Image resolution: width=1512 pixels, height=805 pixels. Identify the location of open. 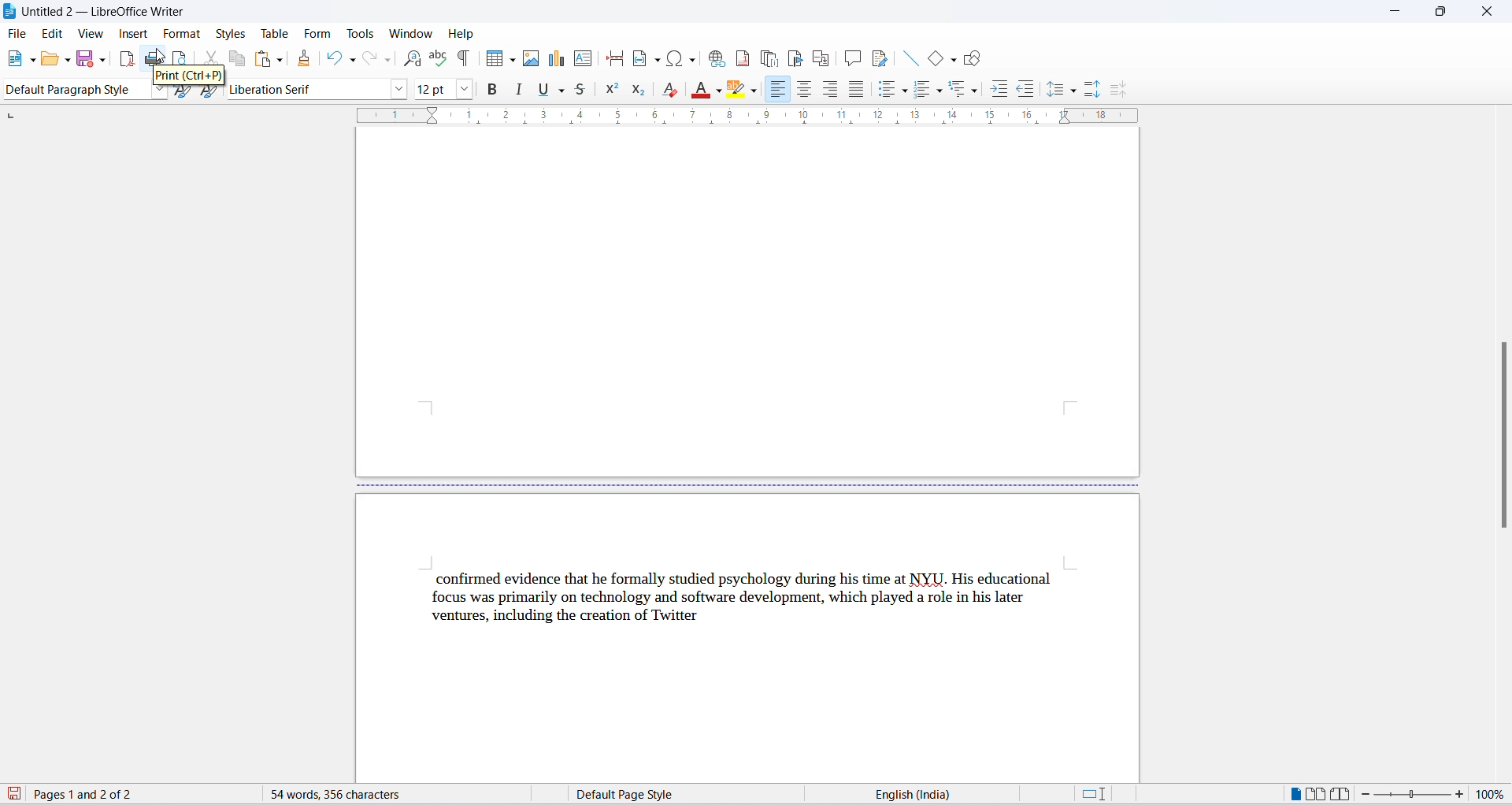
(54, 60).